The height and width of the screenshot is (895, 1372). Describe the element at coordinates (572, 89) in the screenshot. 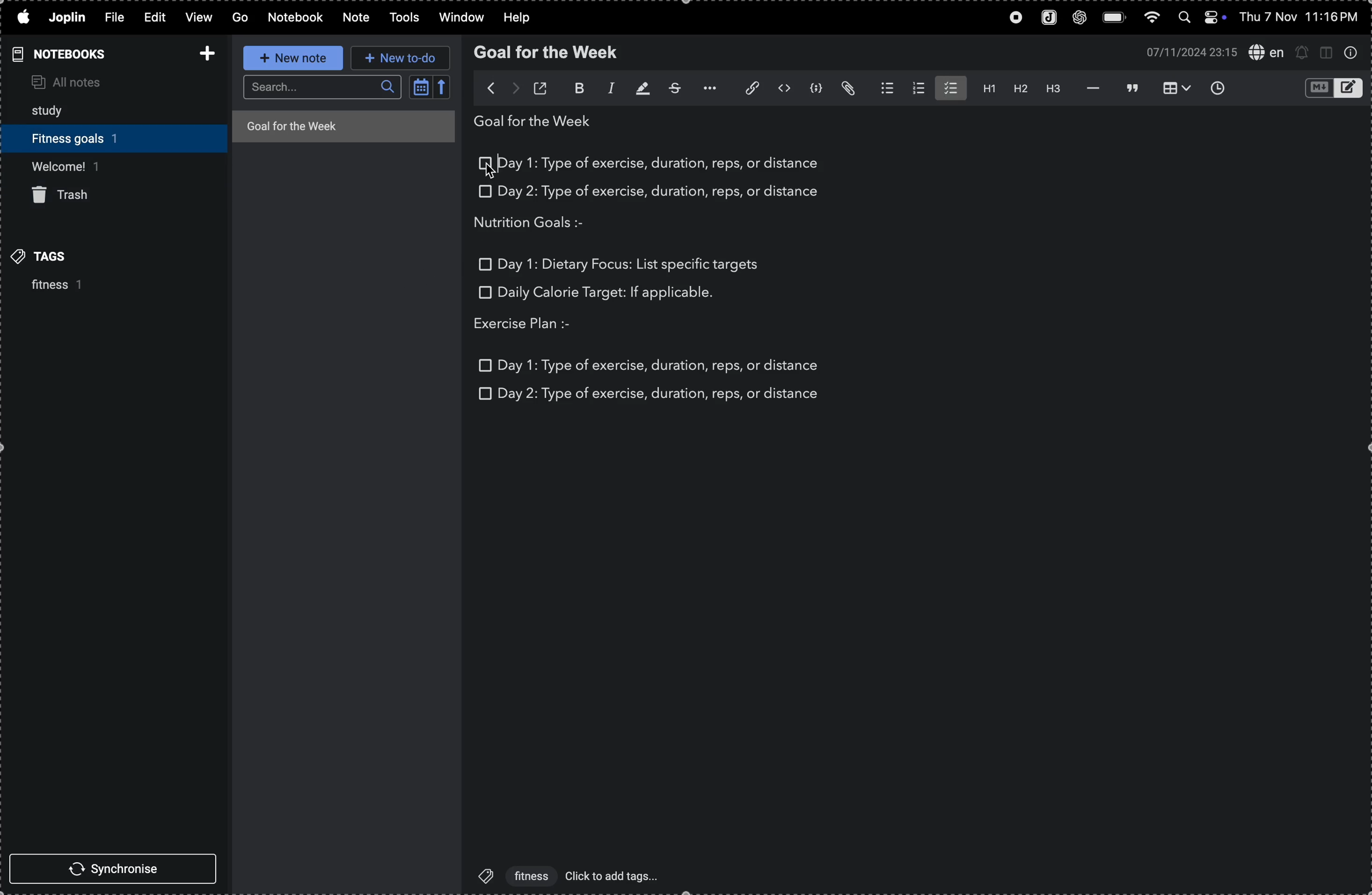

I see `bold` at that location.